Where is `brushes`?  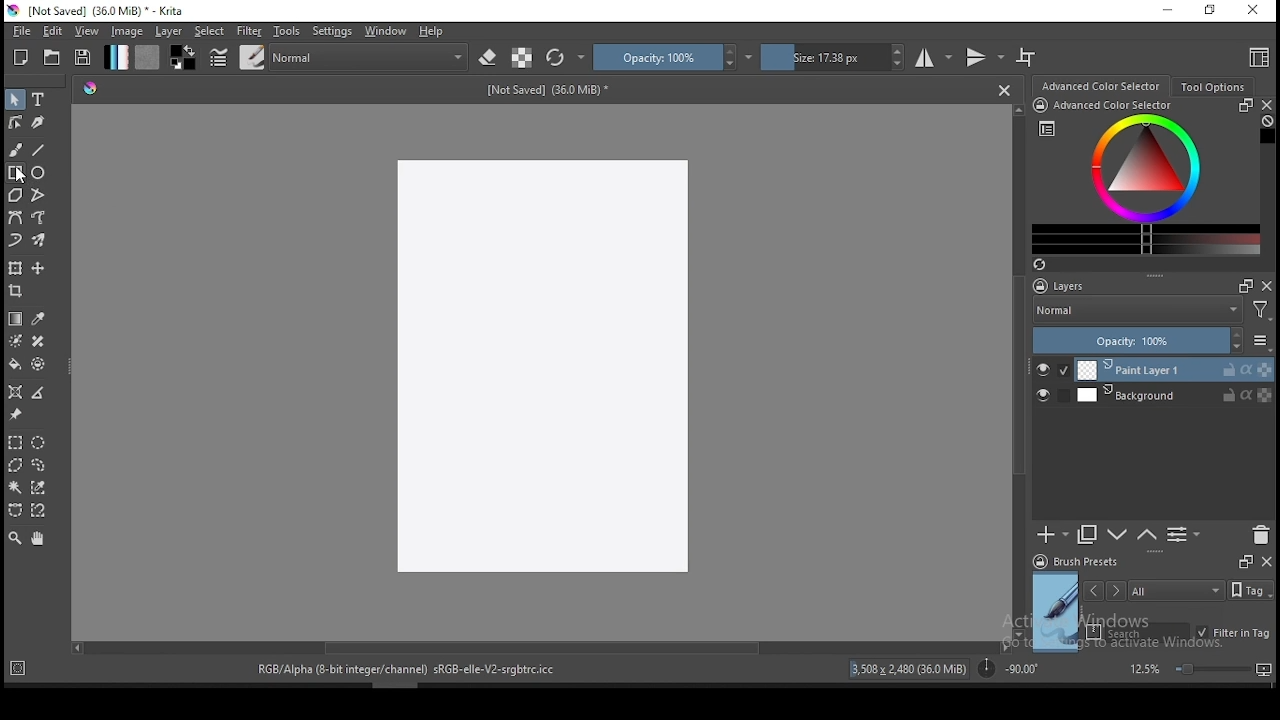 brushes is located at coordinates (252, 57).